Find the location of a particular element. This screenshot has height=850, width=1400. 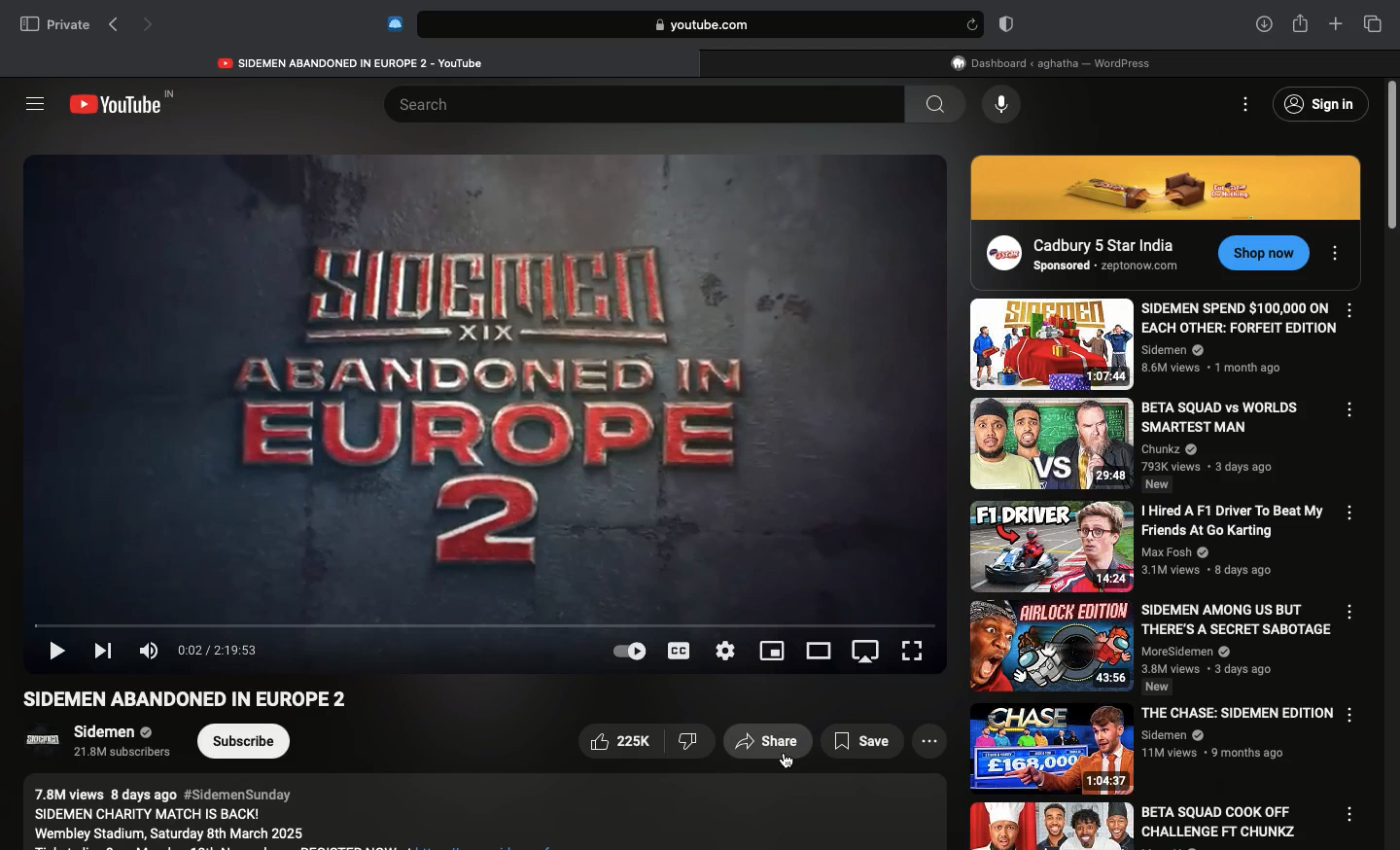

Subcribe is located at coordinates (246, 741).